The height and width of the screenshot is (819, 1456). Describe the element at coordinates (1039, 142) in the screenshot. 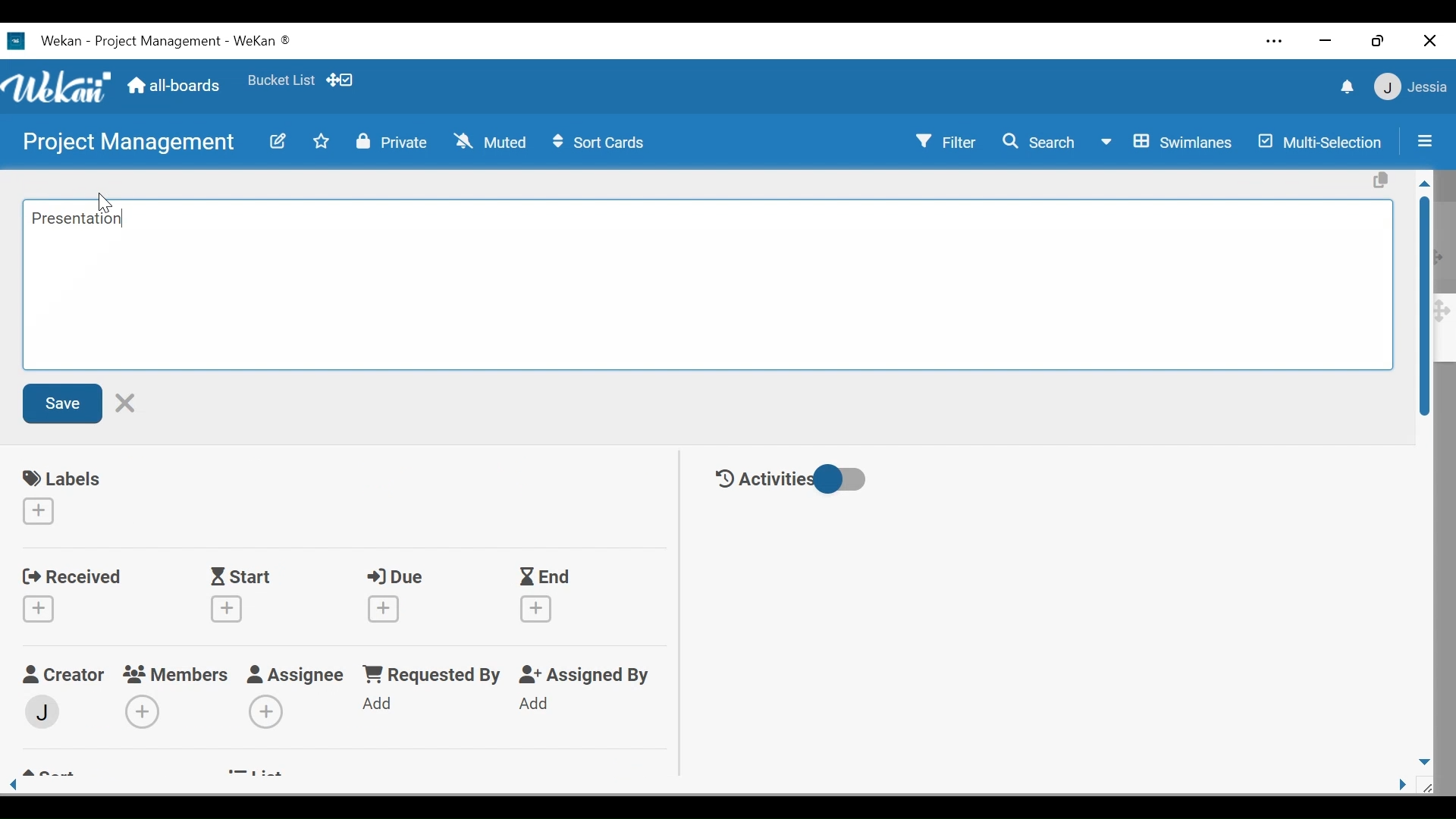

I see `Search` at that location.